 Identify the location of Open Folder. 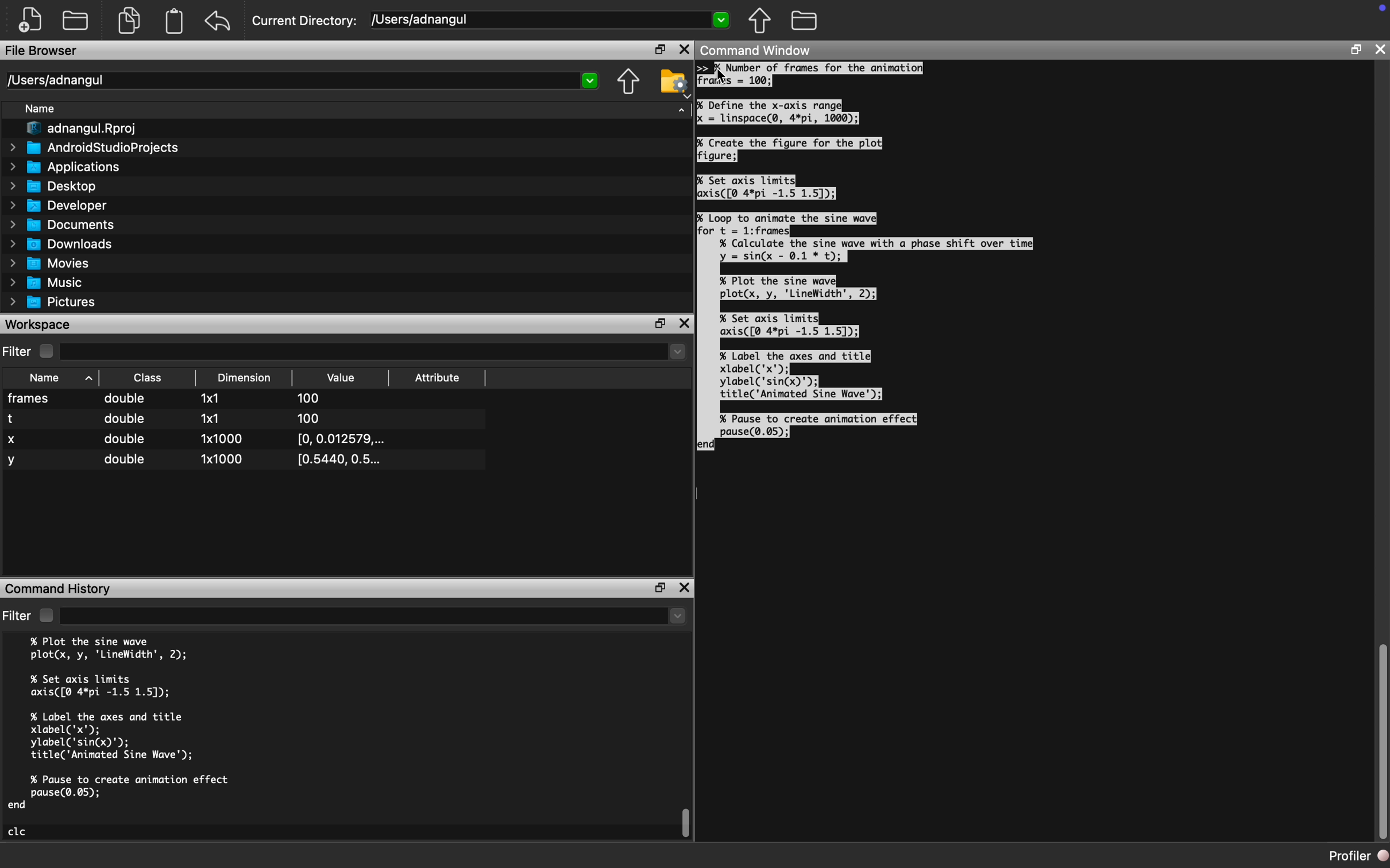
(75, 21).